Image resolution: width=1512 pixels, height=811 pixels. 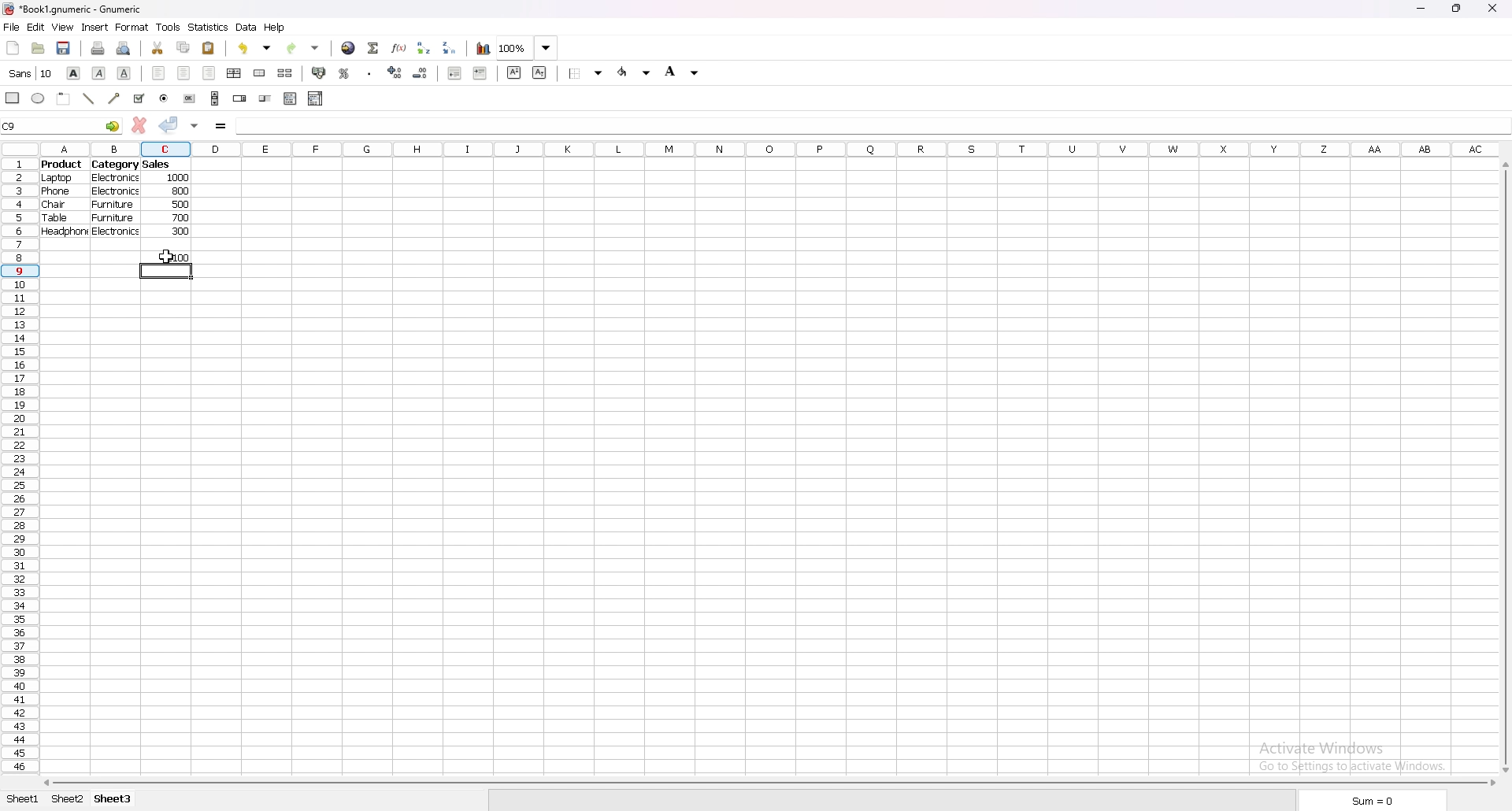 I want to click on arrowed line, so click(x=114, y=99).